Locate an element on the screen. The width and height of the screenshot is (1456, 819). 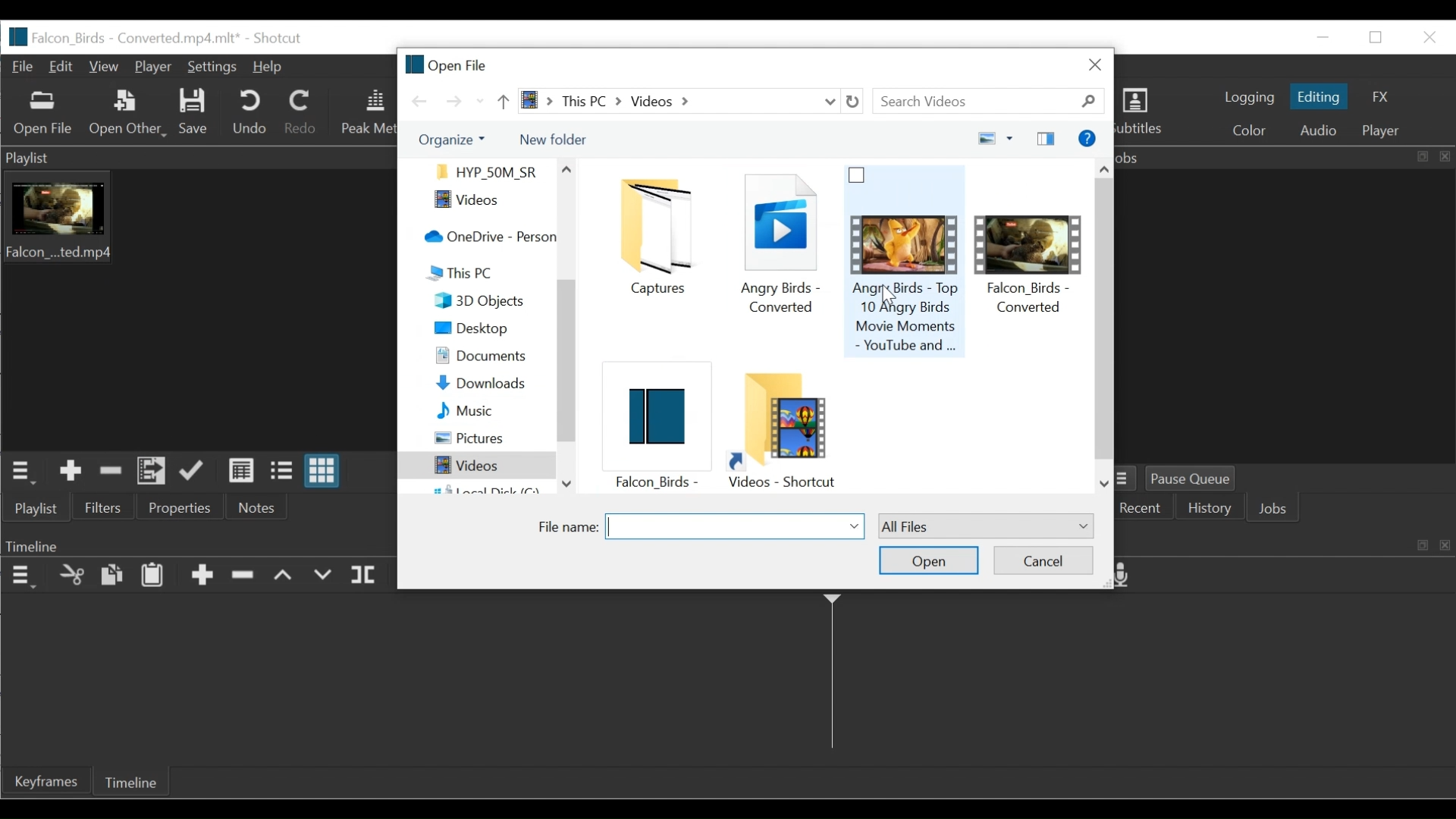
Copy is located at coordinates (111, 576).